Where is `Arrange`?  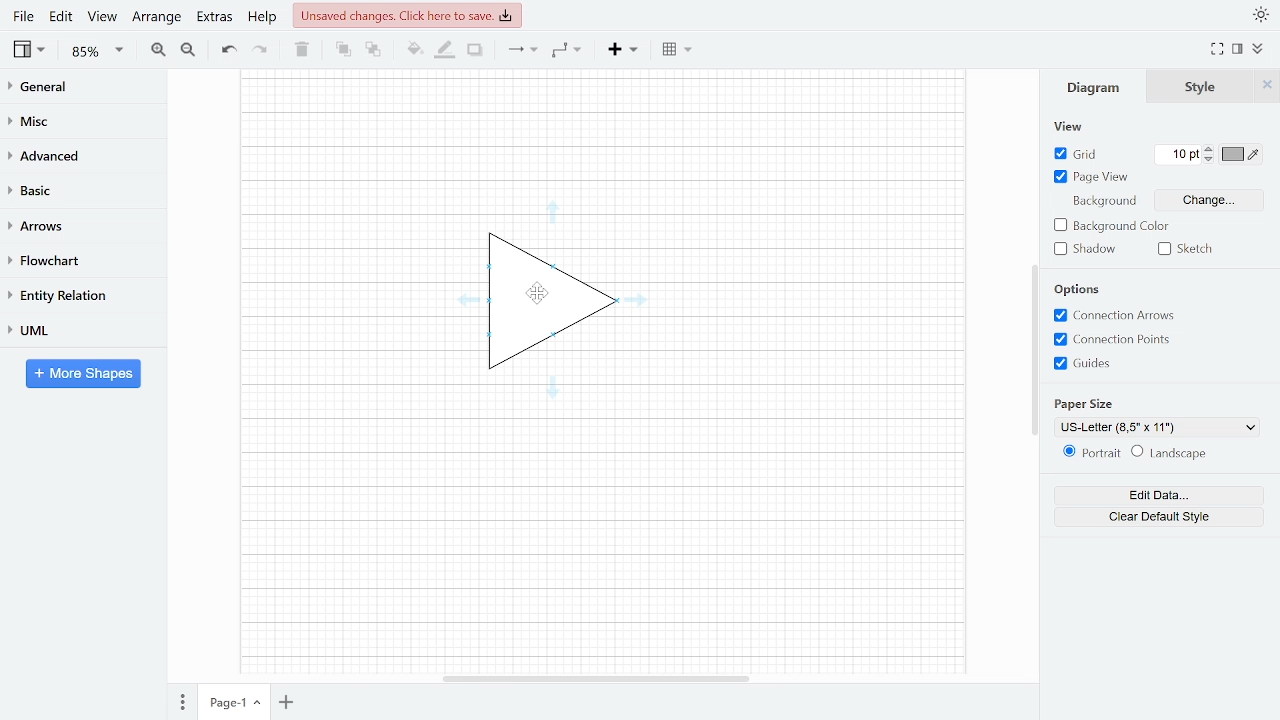
Arrange is located at coordinates (156, 16).